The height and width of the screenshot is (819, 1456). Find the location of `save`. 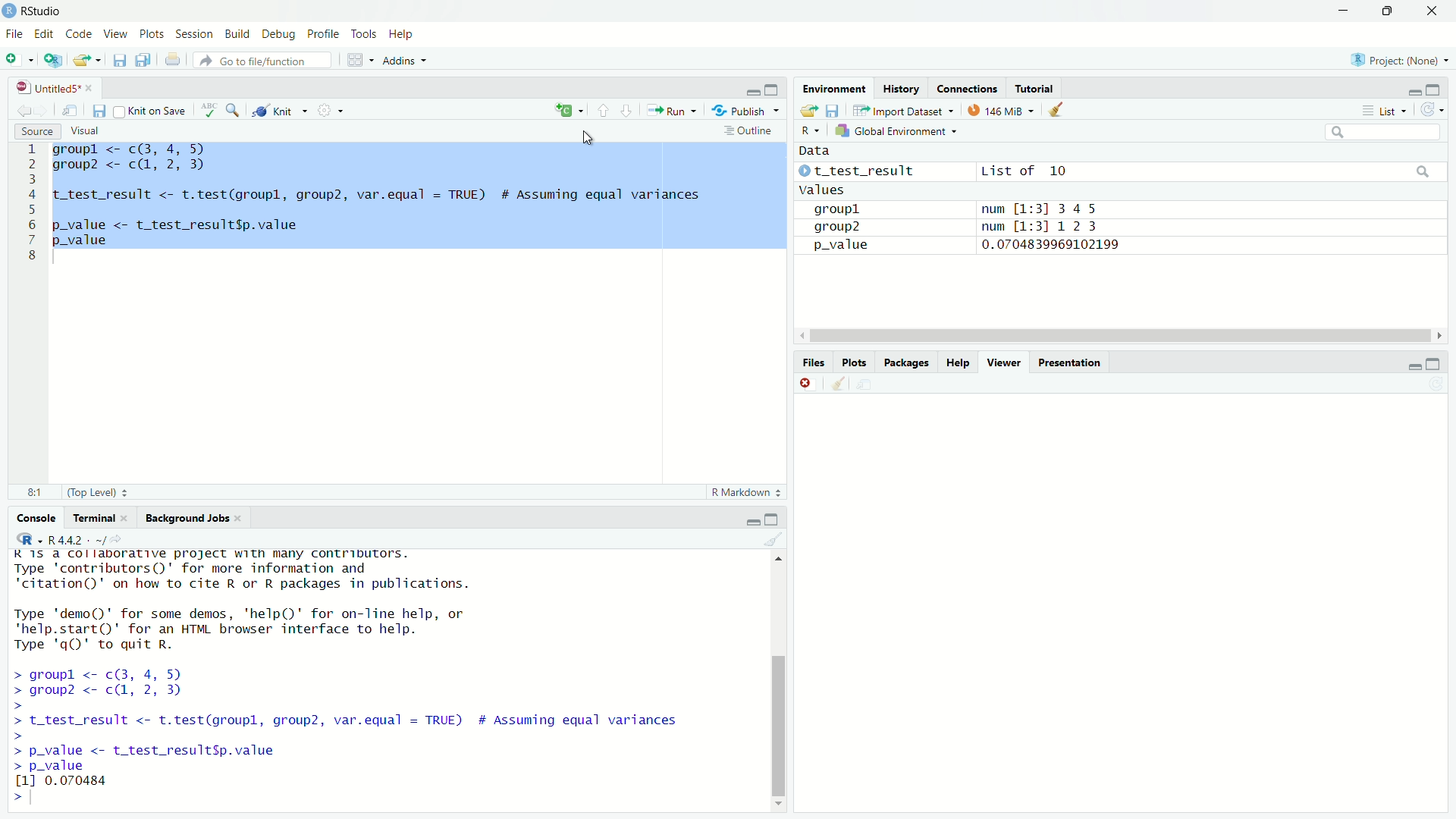

save is located at coordinates (101, 111).